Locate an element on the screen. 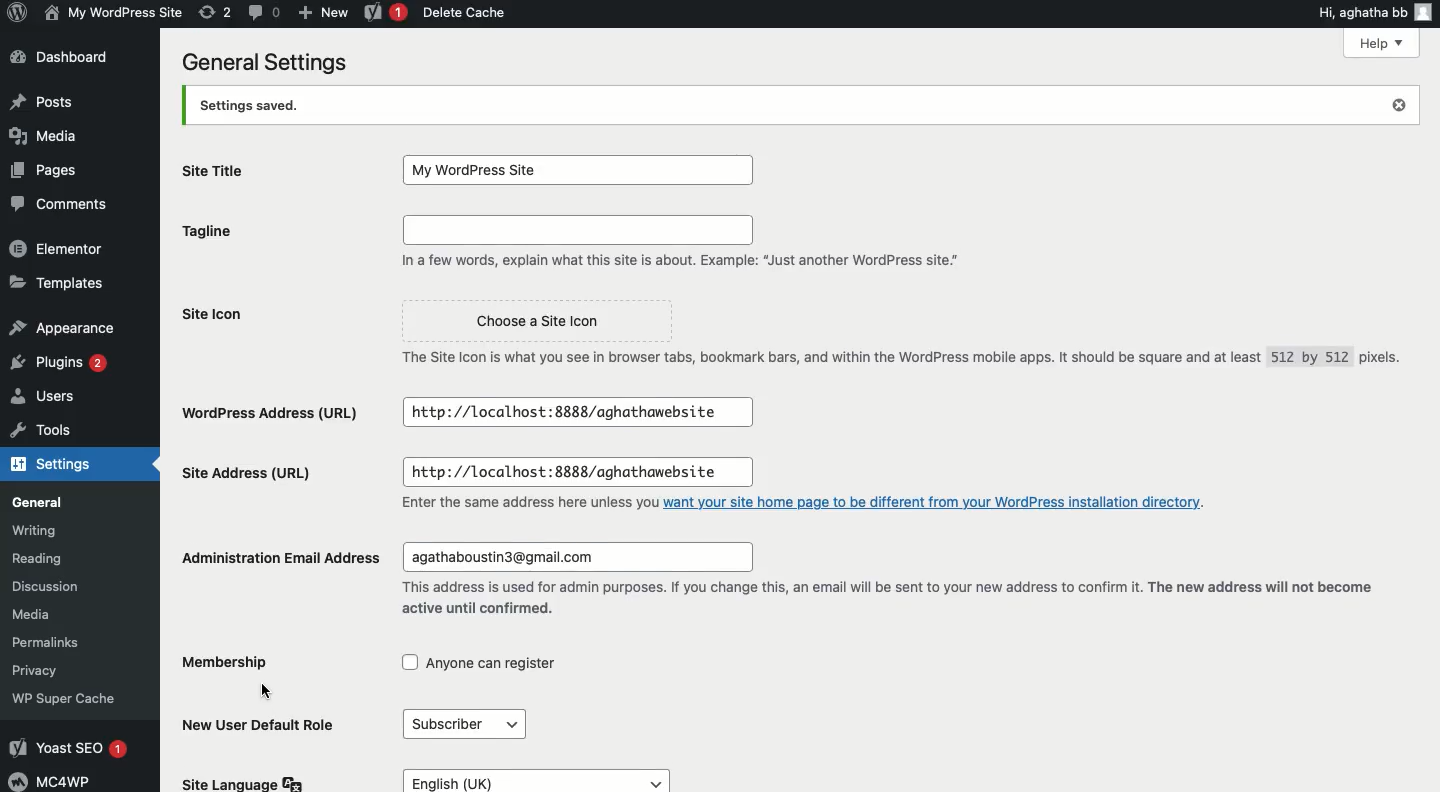 This screenshot has height=792, width=1440. Pages is located at coordinates (48, 168).